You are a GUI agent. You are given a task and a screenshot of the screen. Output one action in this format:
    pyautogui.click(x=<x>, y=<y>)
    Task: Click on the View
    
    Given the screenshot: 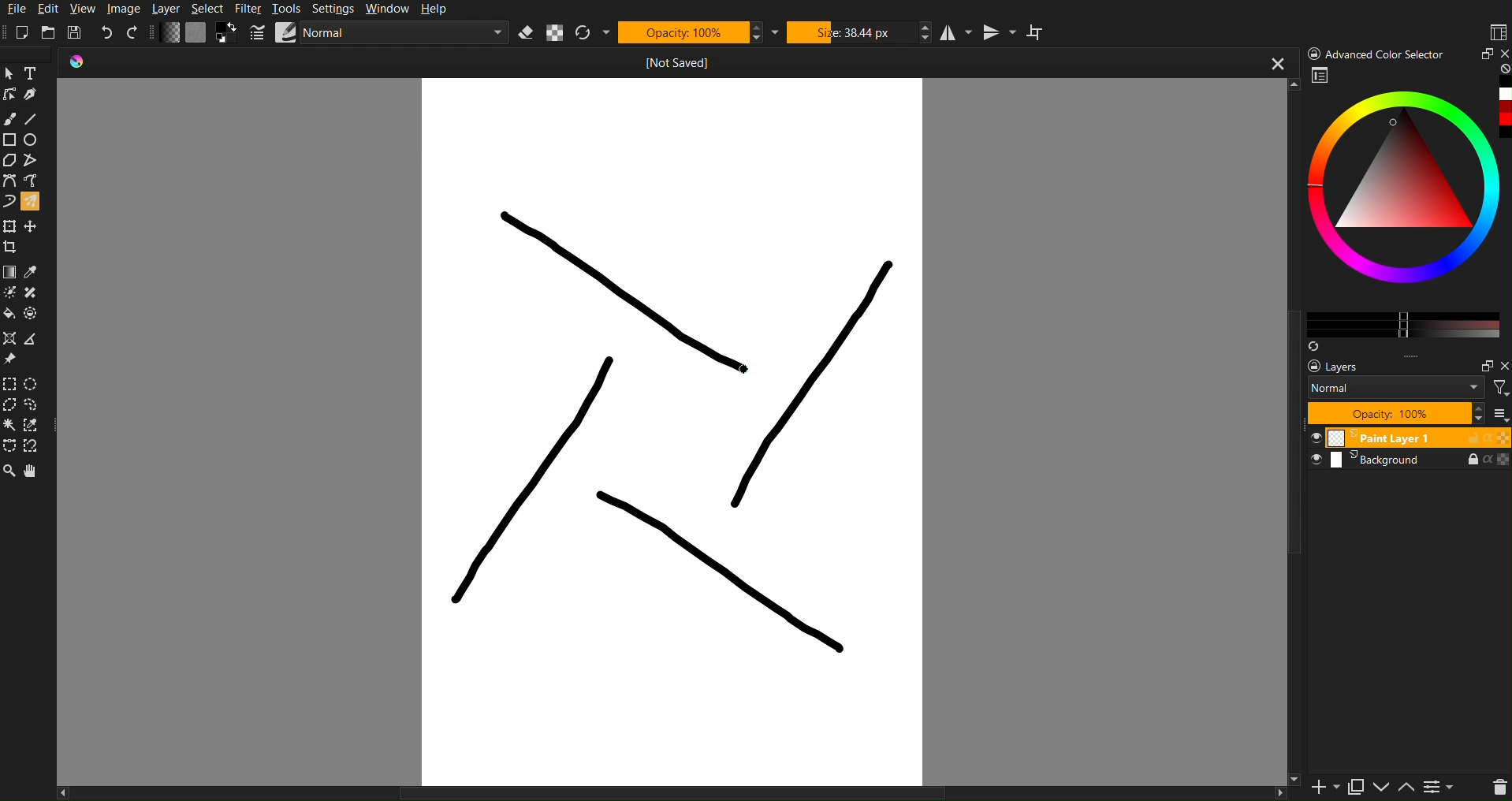 What is the action you would take?
    pyautogui.click(x=84, y=9)
    